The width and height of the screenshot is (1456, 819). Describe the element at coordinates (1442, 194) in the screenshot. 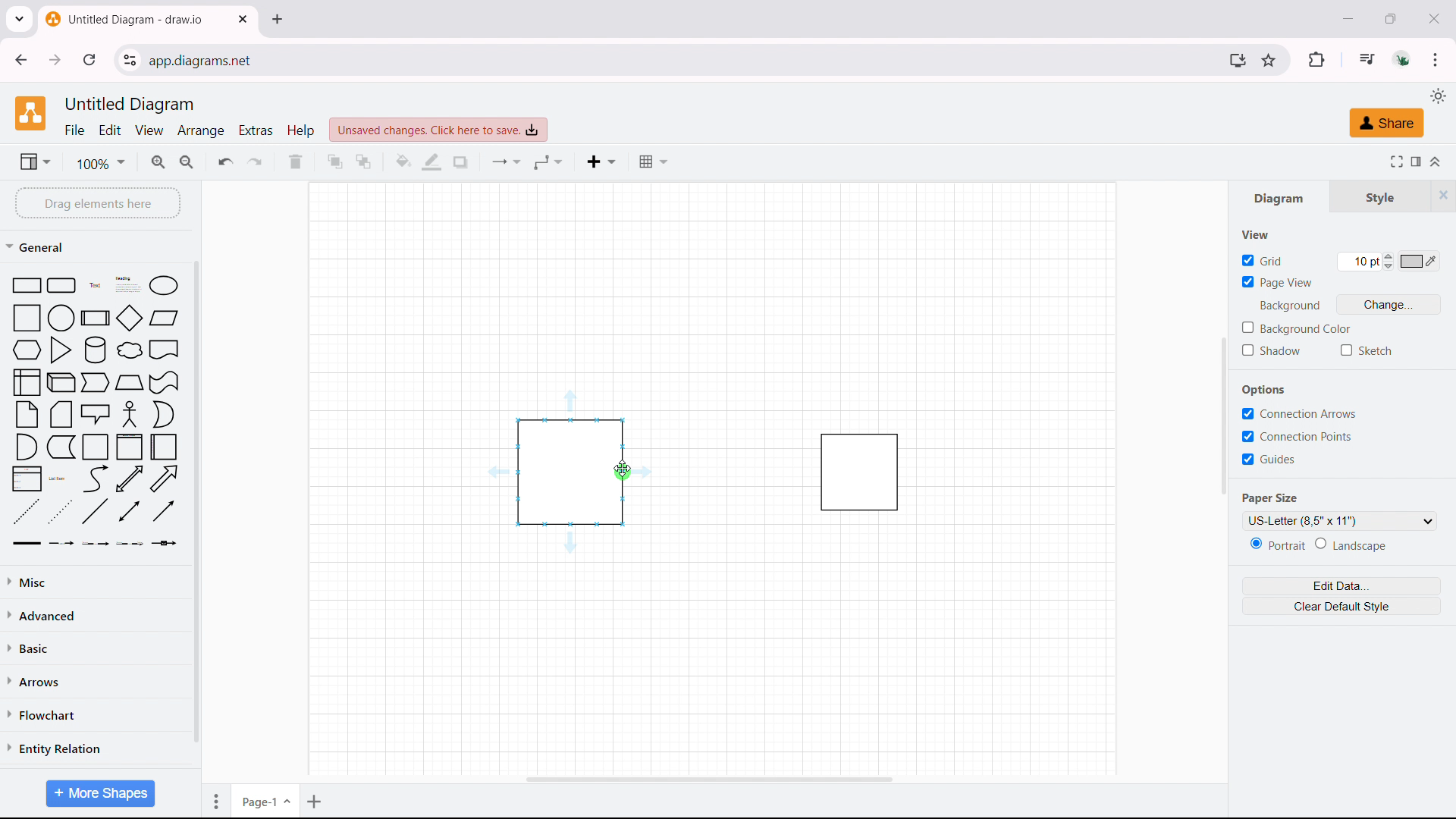

I see `hide` at that location.